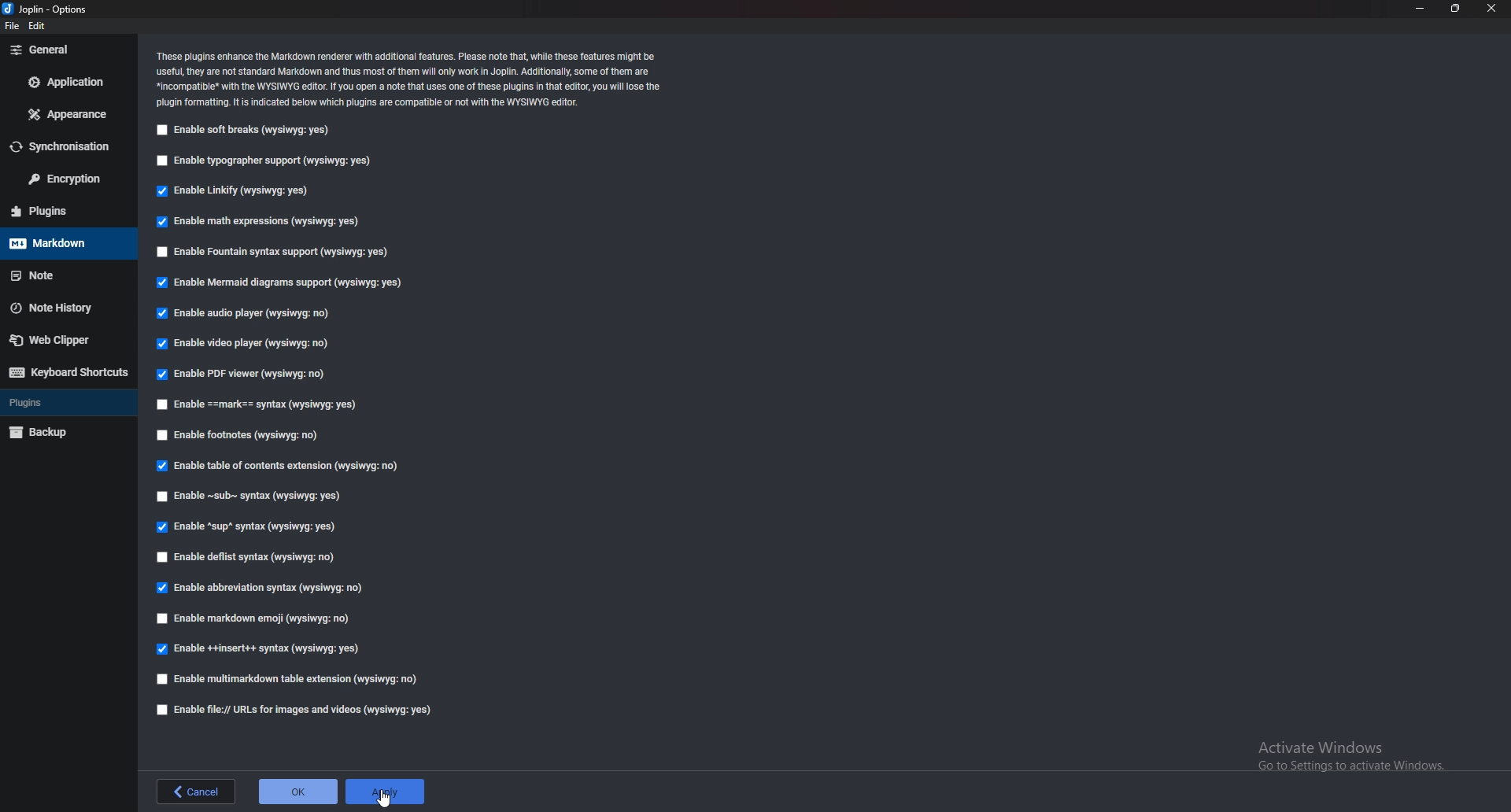 This screenshot has width=1511, height=812. Describe the element at coordinates (275, 251) in the screenshot. I see `Enable fountain syntax support` at that location.